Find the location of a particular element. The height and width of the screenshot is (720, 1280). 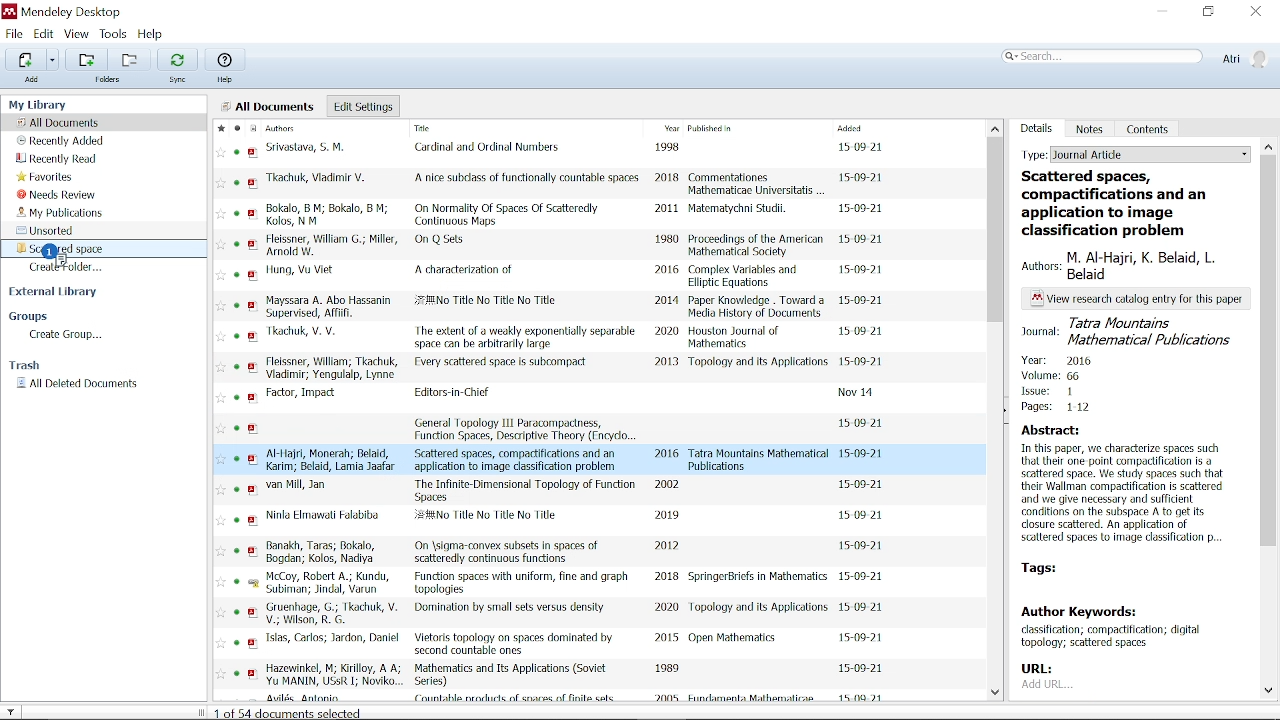

folders is located at coordinates (112, 81).